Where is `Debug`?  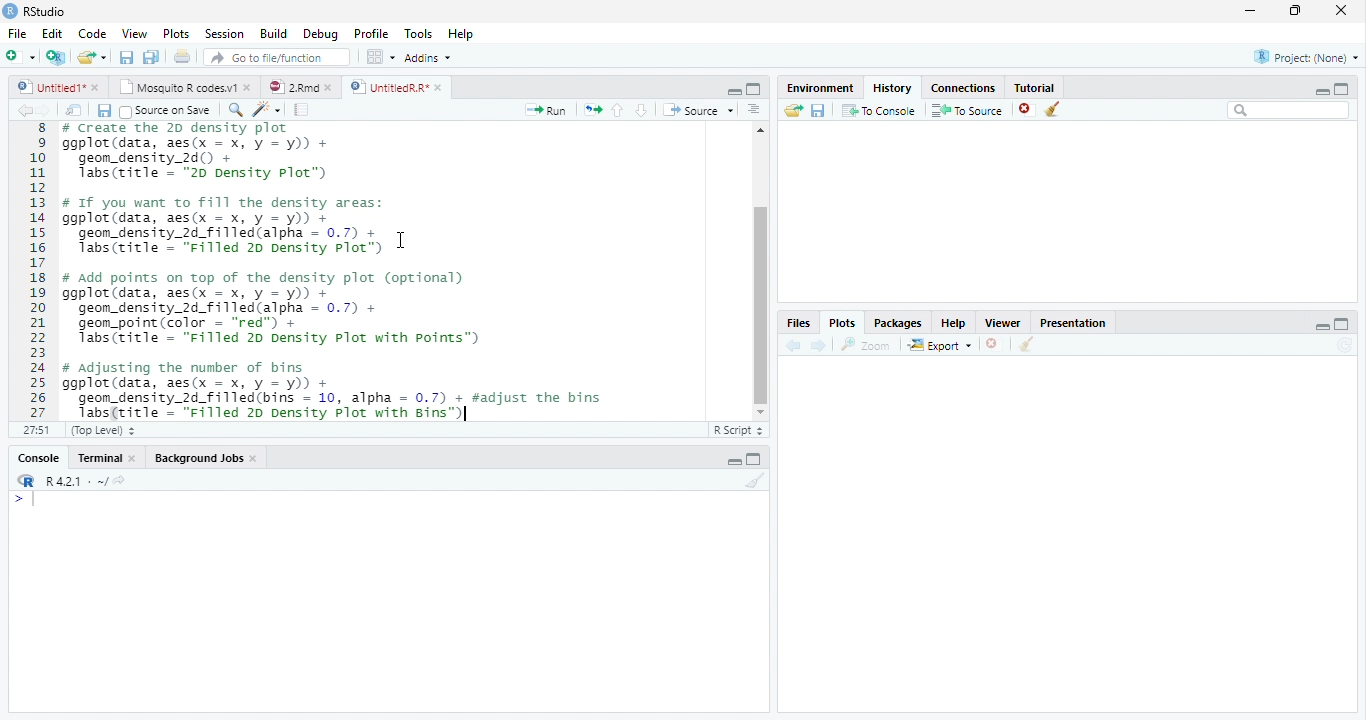
Debug is located at coordinates (321, 35).